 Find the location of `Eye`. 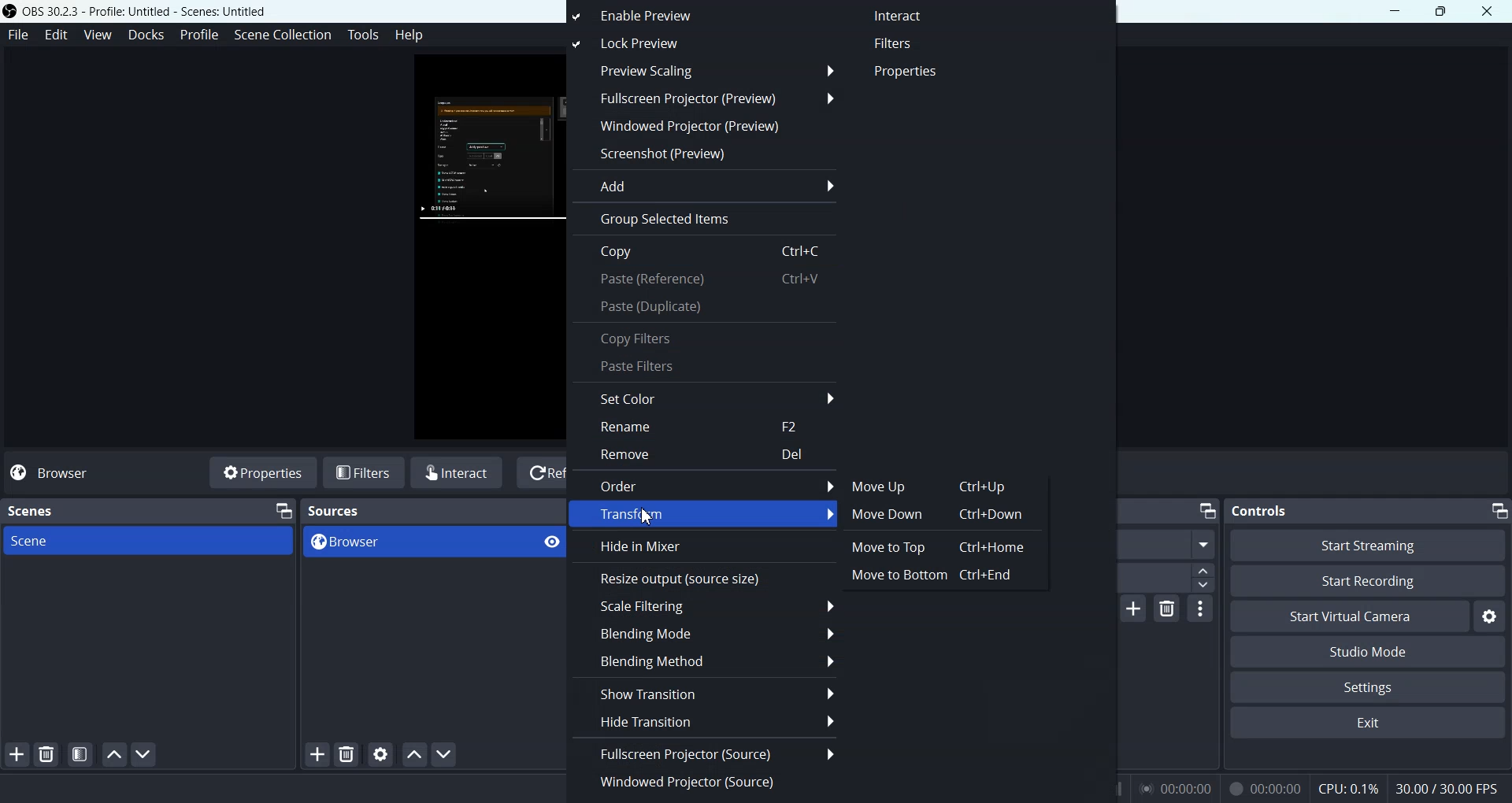

Eye is located at coordinates (552, 542).